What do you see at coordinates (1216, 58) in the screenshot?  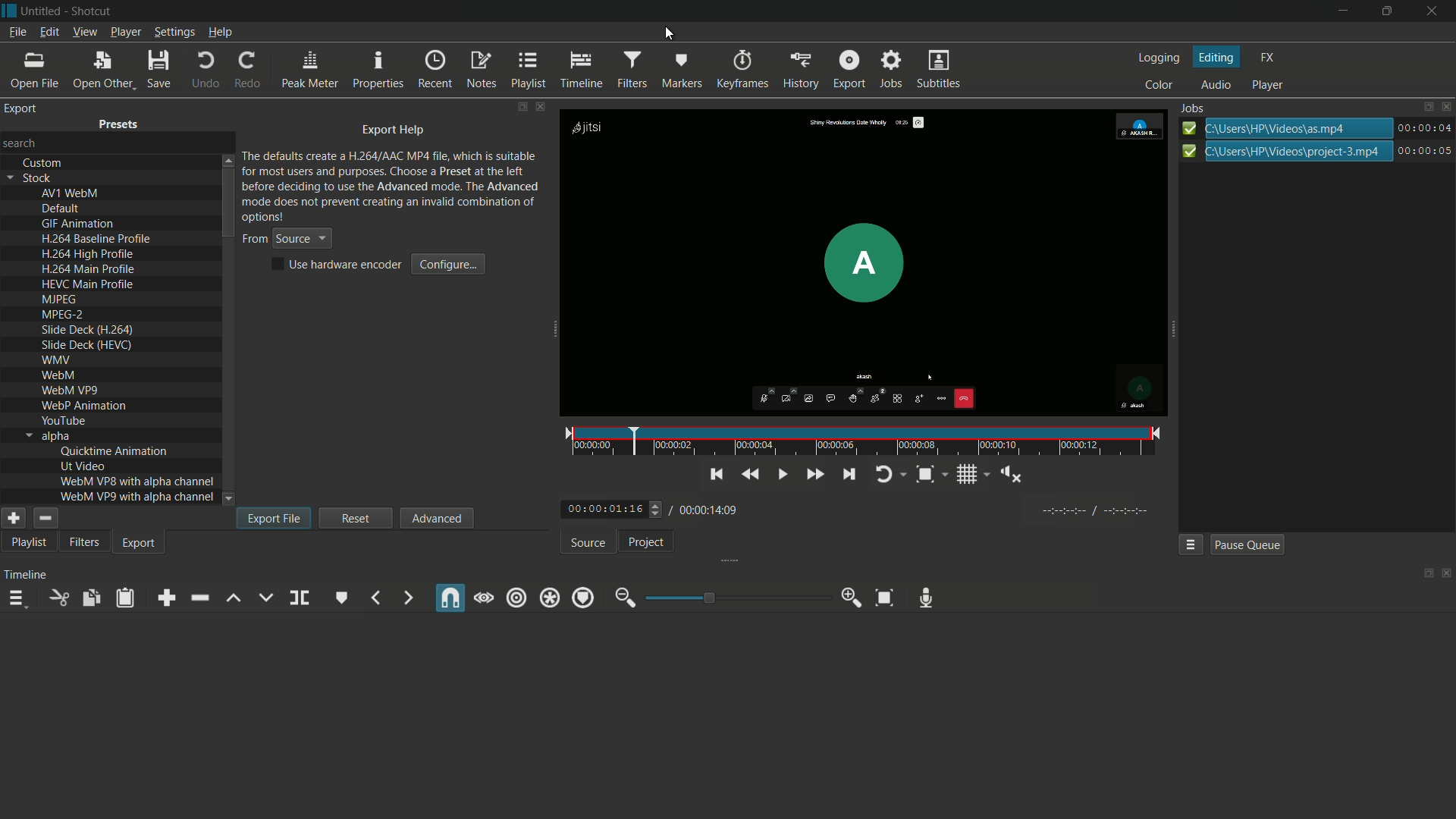 I see `editing` at bounding box center [1216, 58].